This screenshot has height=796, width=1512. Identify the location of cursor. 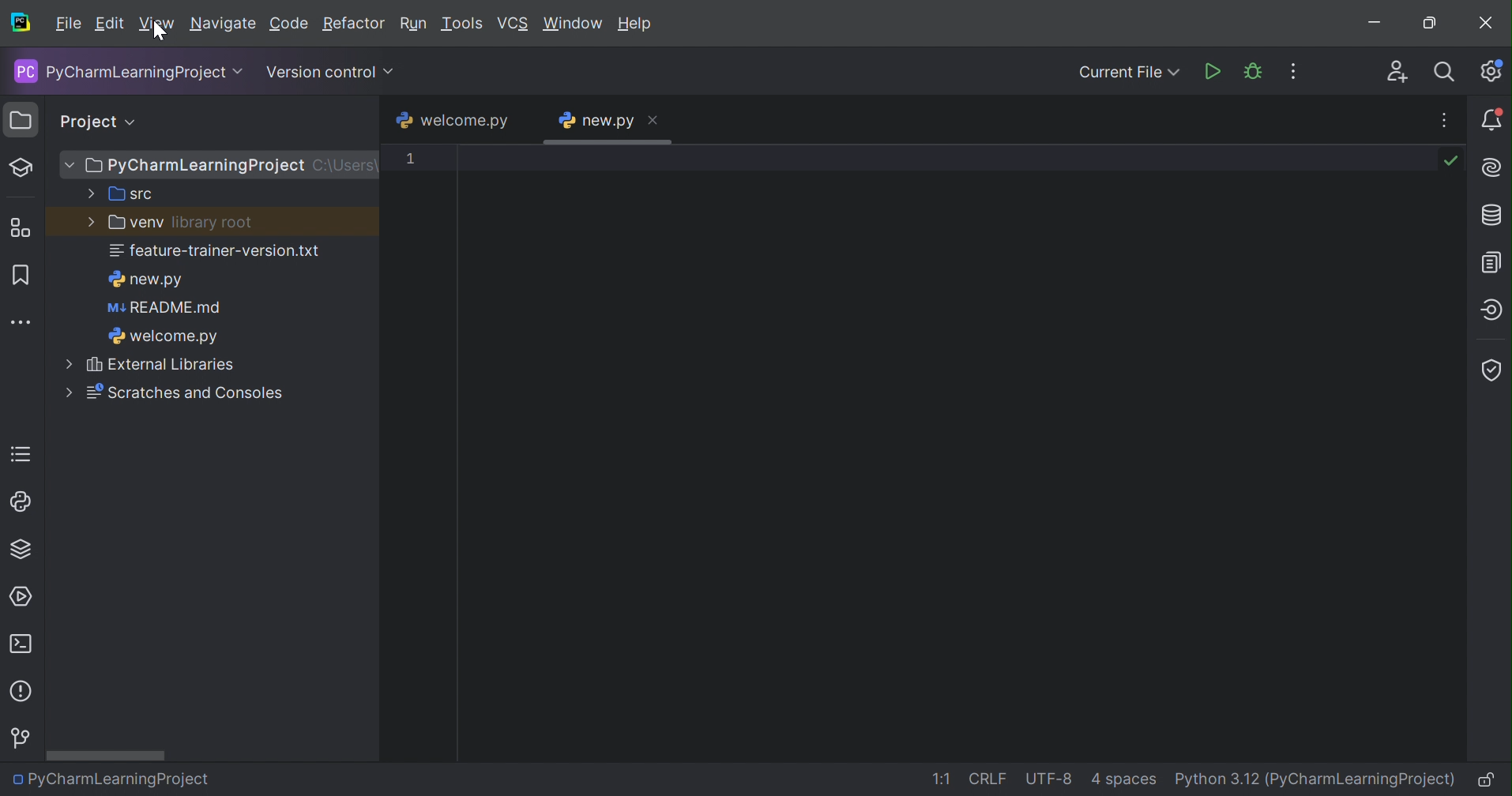
(159, 33).